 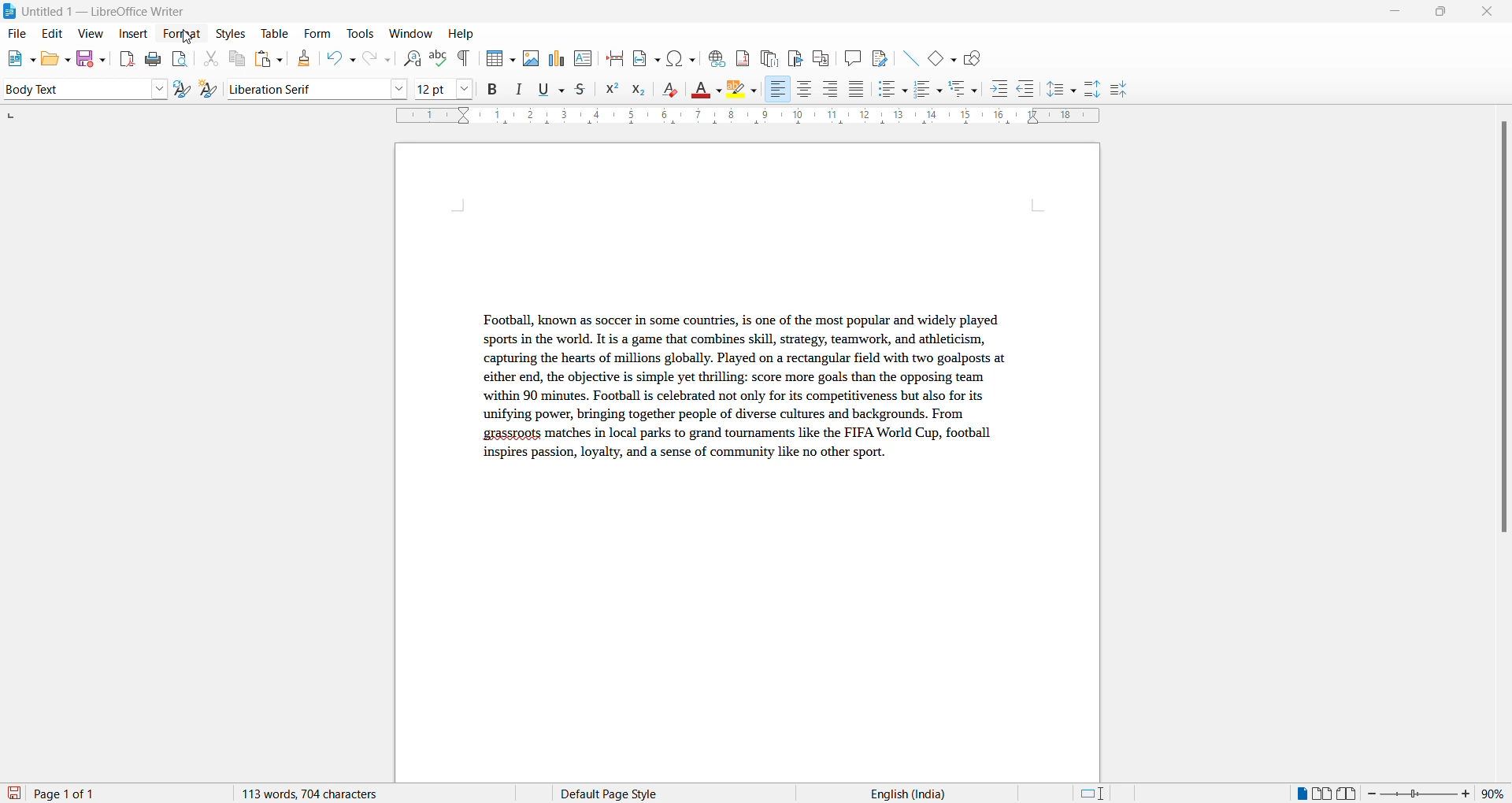 What do you see at coordinates (159, 90) in the screenshot?
I see `styling dropdown button` at bounding box center [159, 90].